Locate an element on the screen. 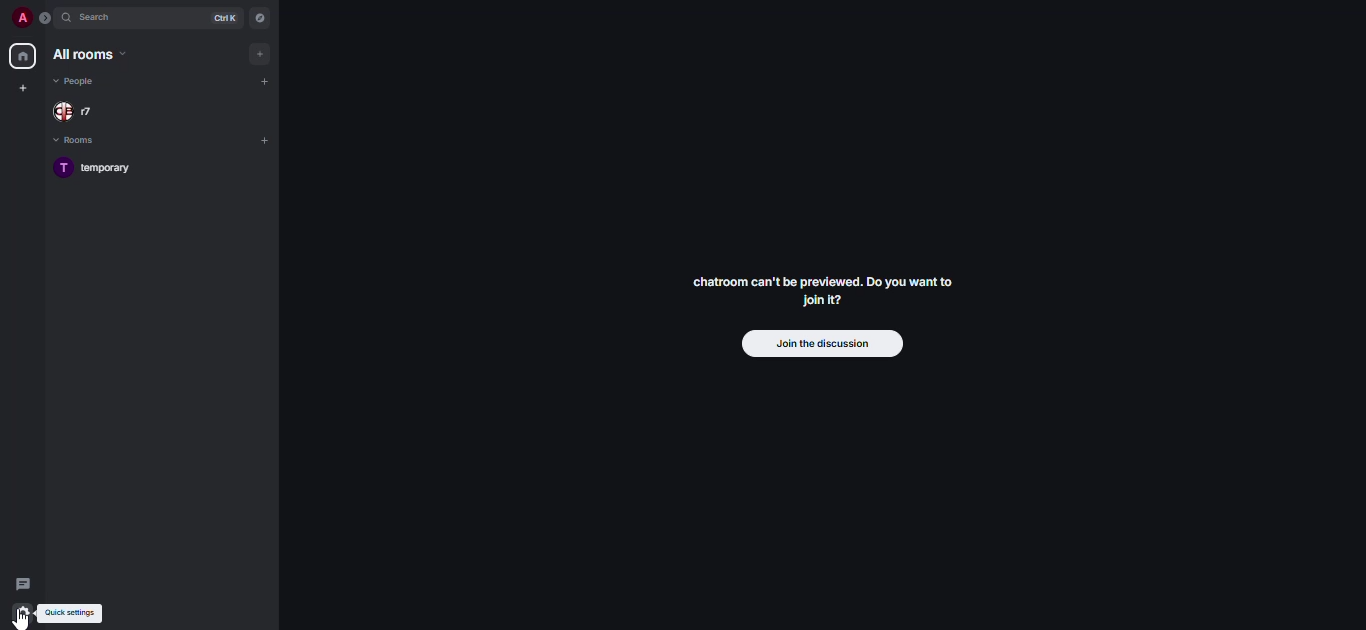  create space is located at coordinates (21, 88).